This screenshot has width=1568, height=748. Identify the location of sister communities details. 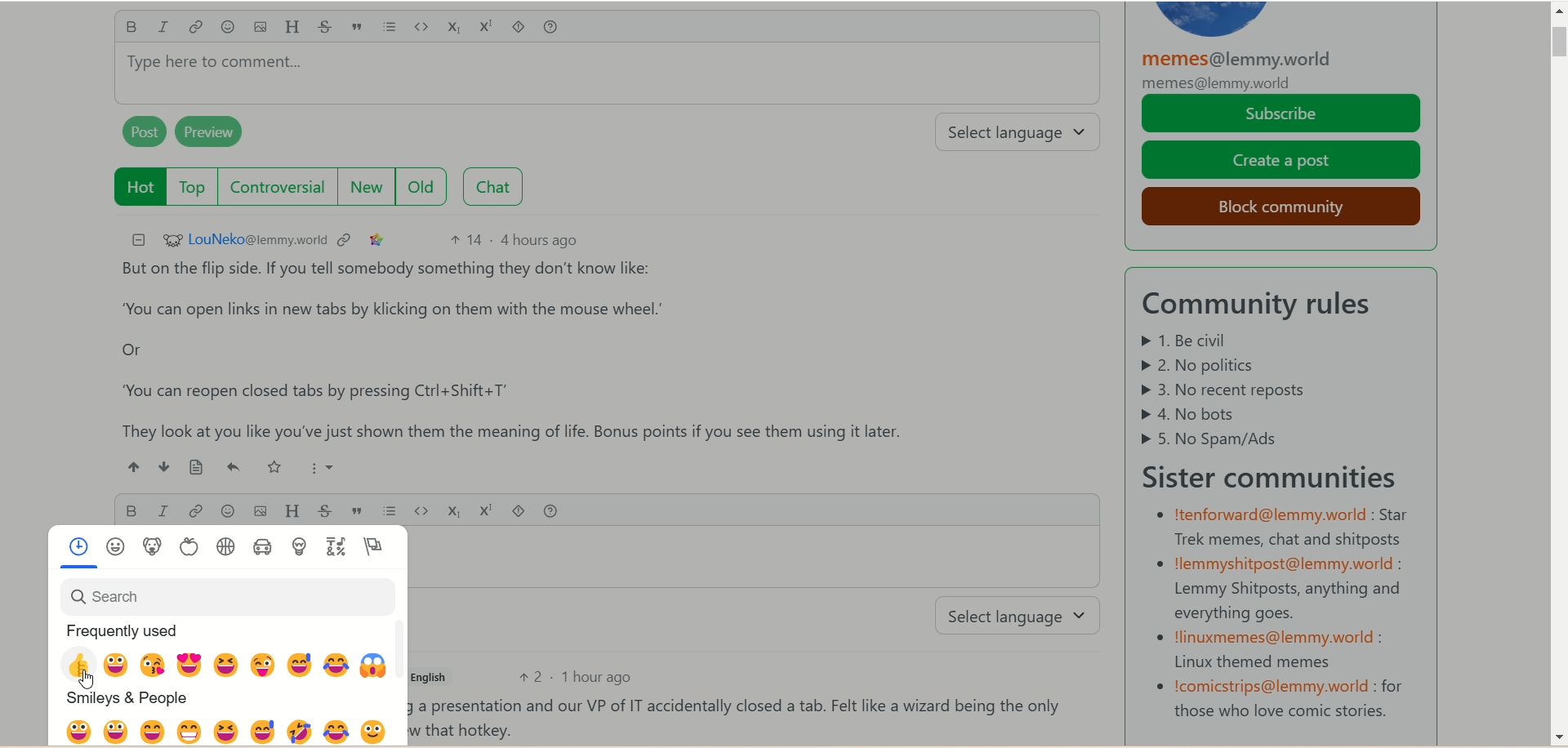
(1281, 612).